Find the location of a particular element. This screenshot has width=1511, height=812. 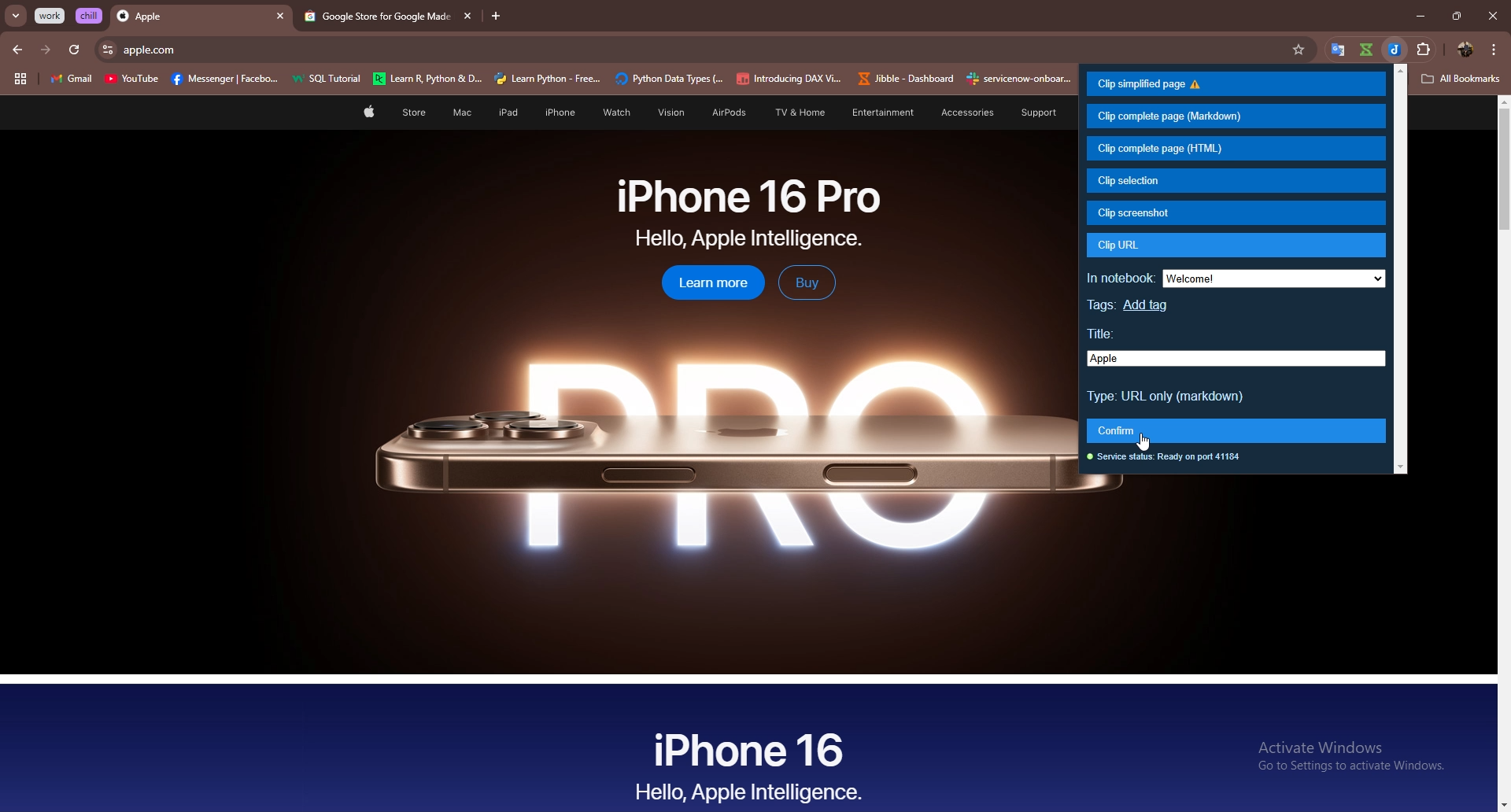

Messenger|Faceb is located at coordinates (227, 79).